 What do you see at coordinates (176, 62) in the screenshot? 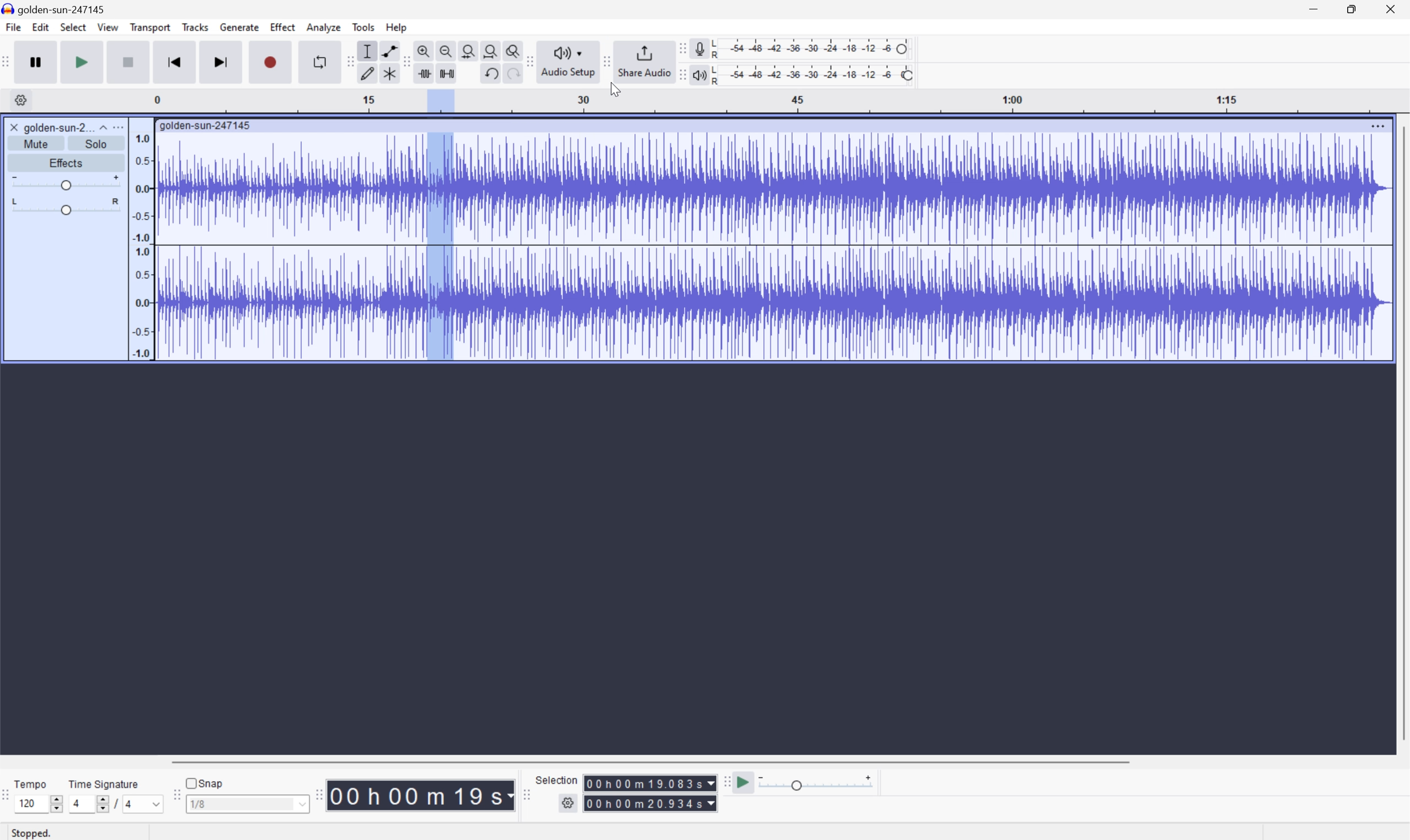
I see `Skip to start` at bounding box center [176, 62].